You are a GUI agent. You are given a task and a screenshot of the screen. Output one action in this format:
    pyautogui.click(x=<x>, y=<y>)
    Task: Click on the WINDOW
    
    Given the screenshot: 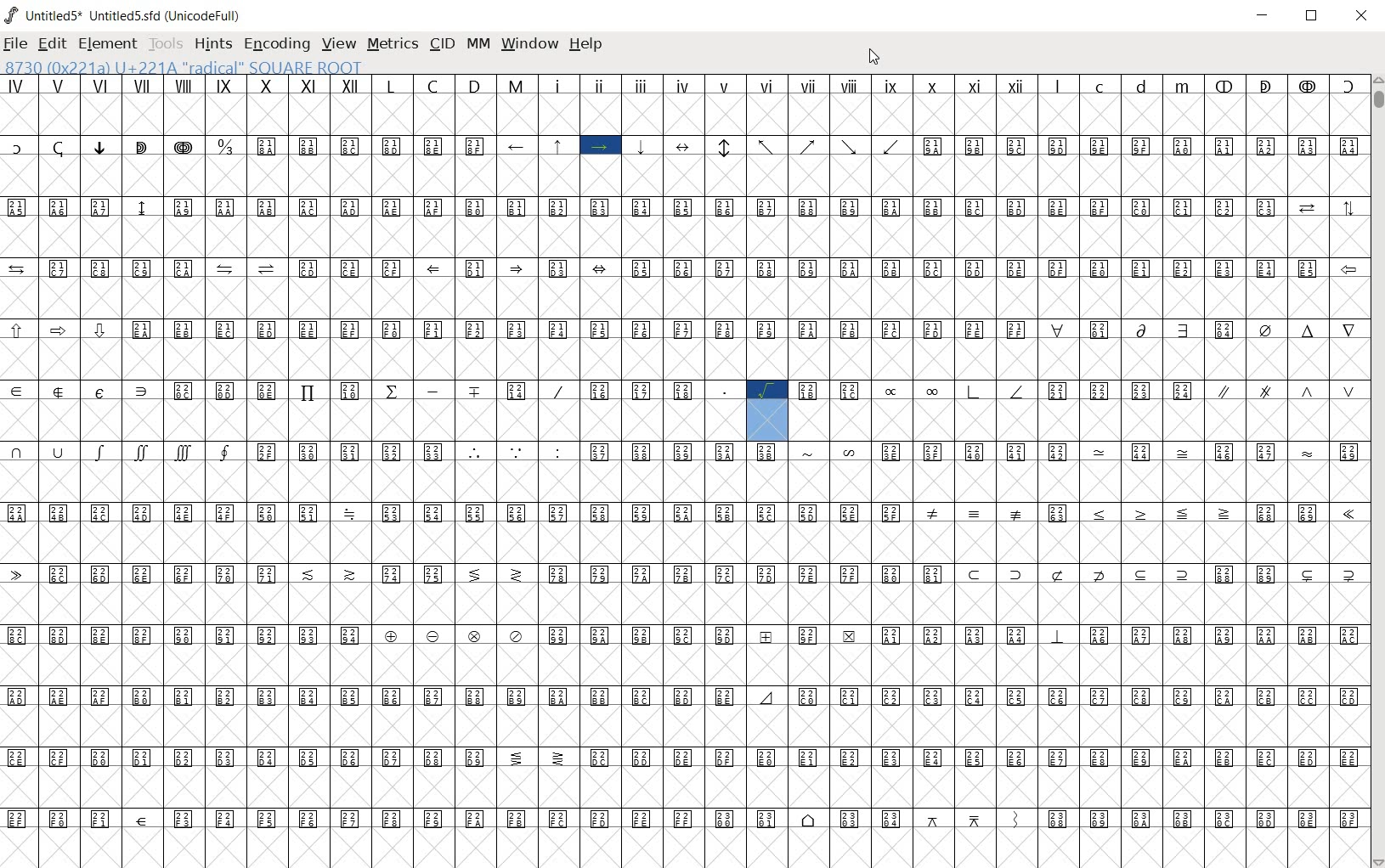 What is the action you would take?
    pyautogui.click(x=529, y=44)
    